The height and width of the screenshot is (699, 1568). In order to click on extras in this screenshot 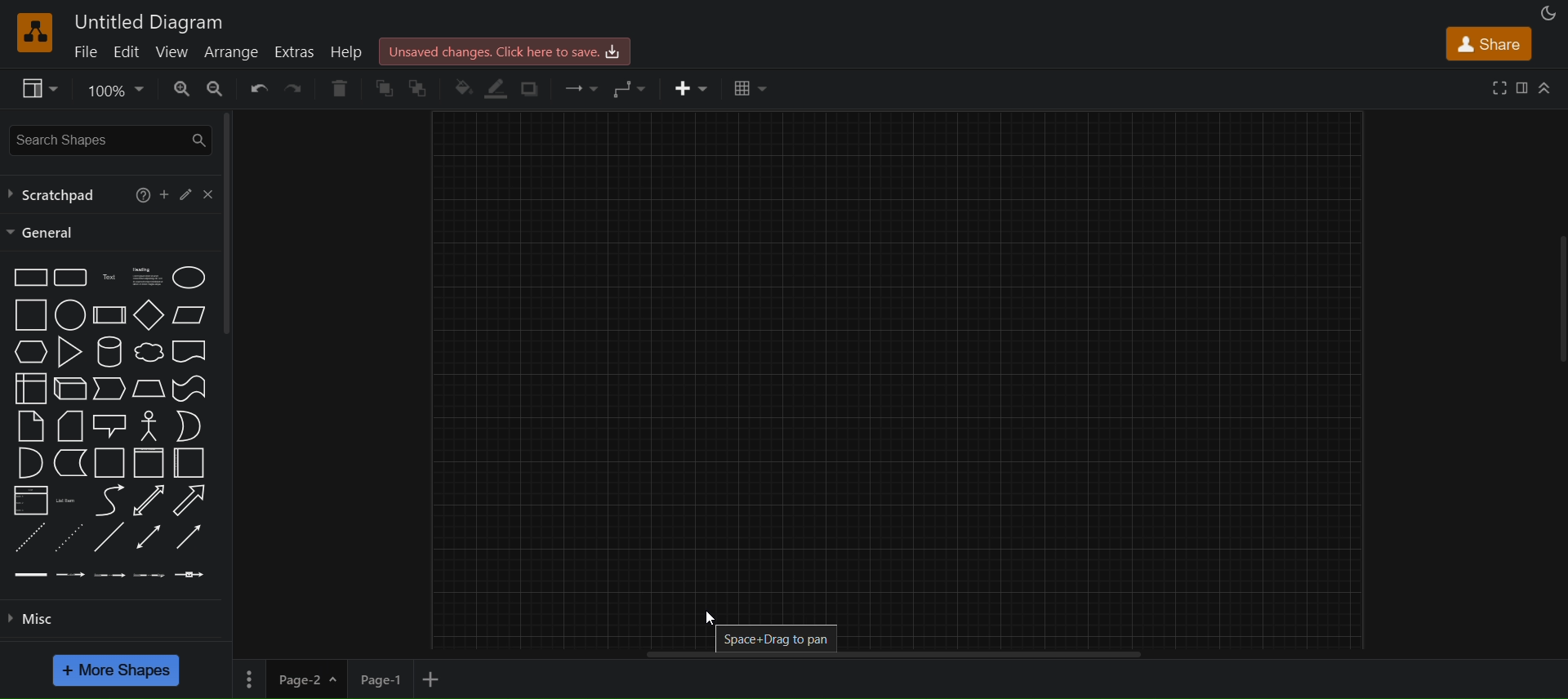, I will do `click(295, 52)`.